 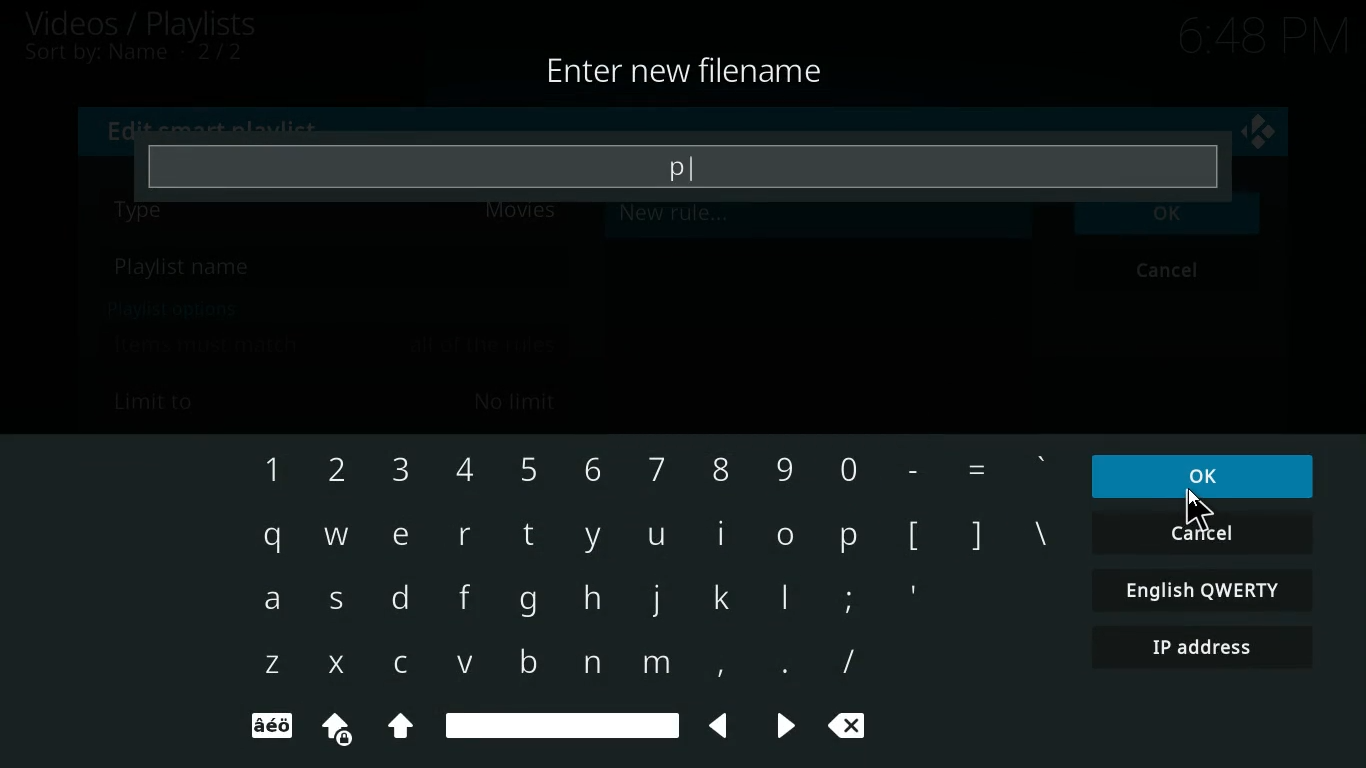 I want to click on ok, so click(x=1211, y=475).